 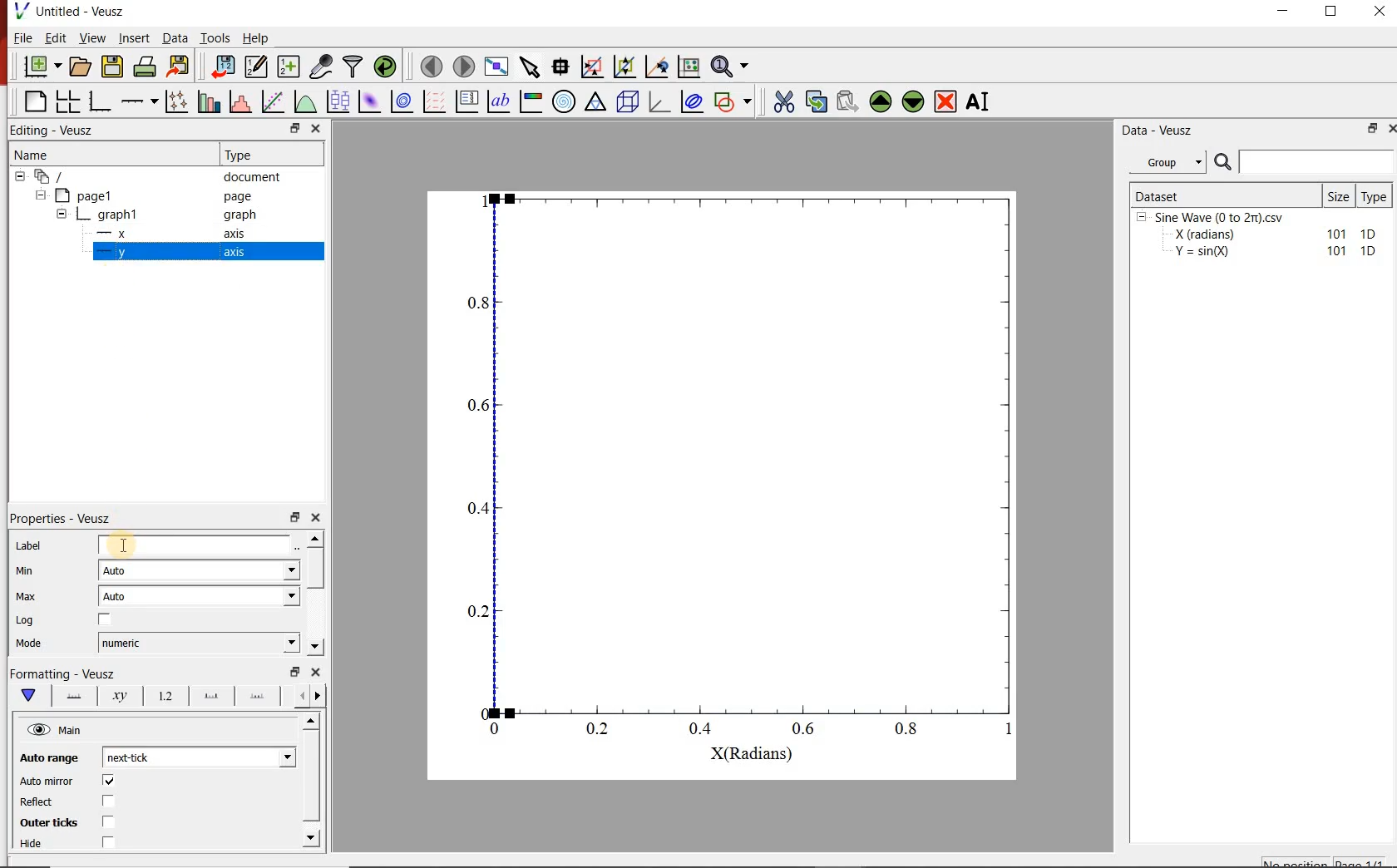 I want to click on Move left, so click(x=299, y=695).